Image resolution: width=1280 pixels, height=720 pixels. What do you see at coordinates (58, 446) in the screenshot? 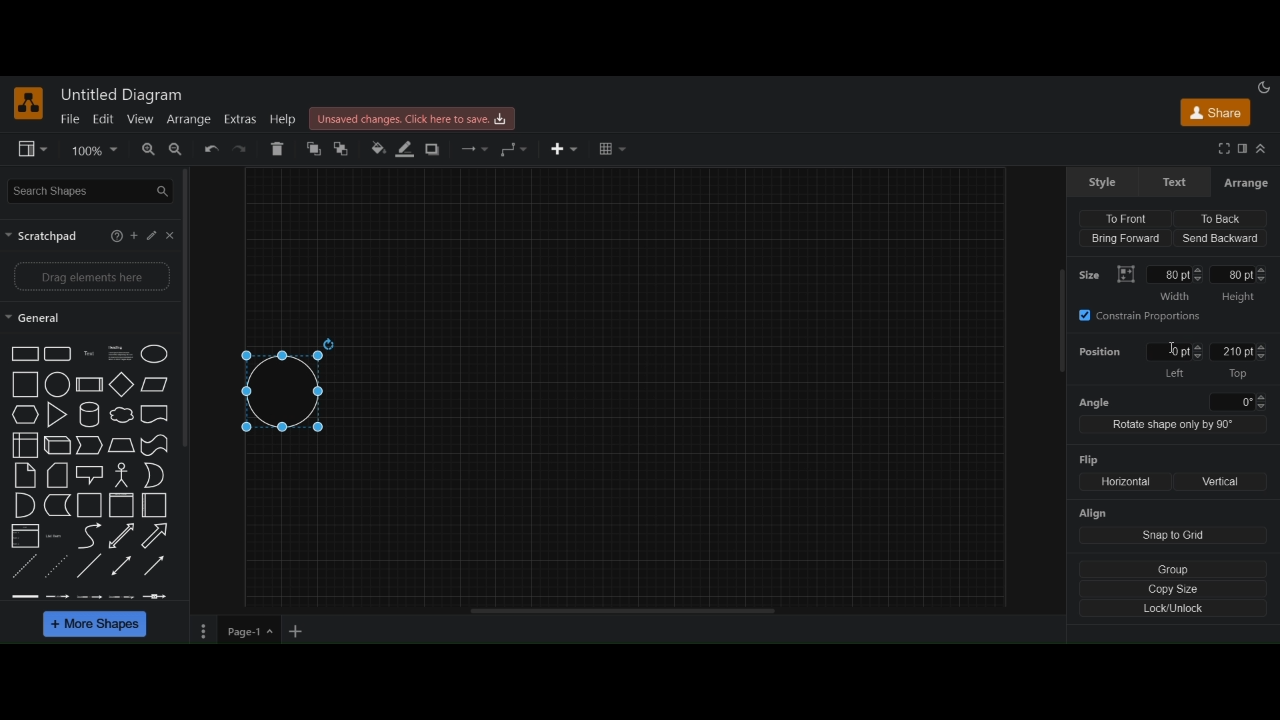
I see `Cube` at bounding box center [58, 446].